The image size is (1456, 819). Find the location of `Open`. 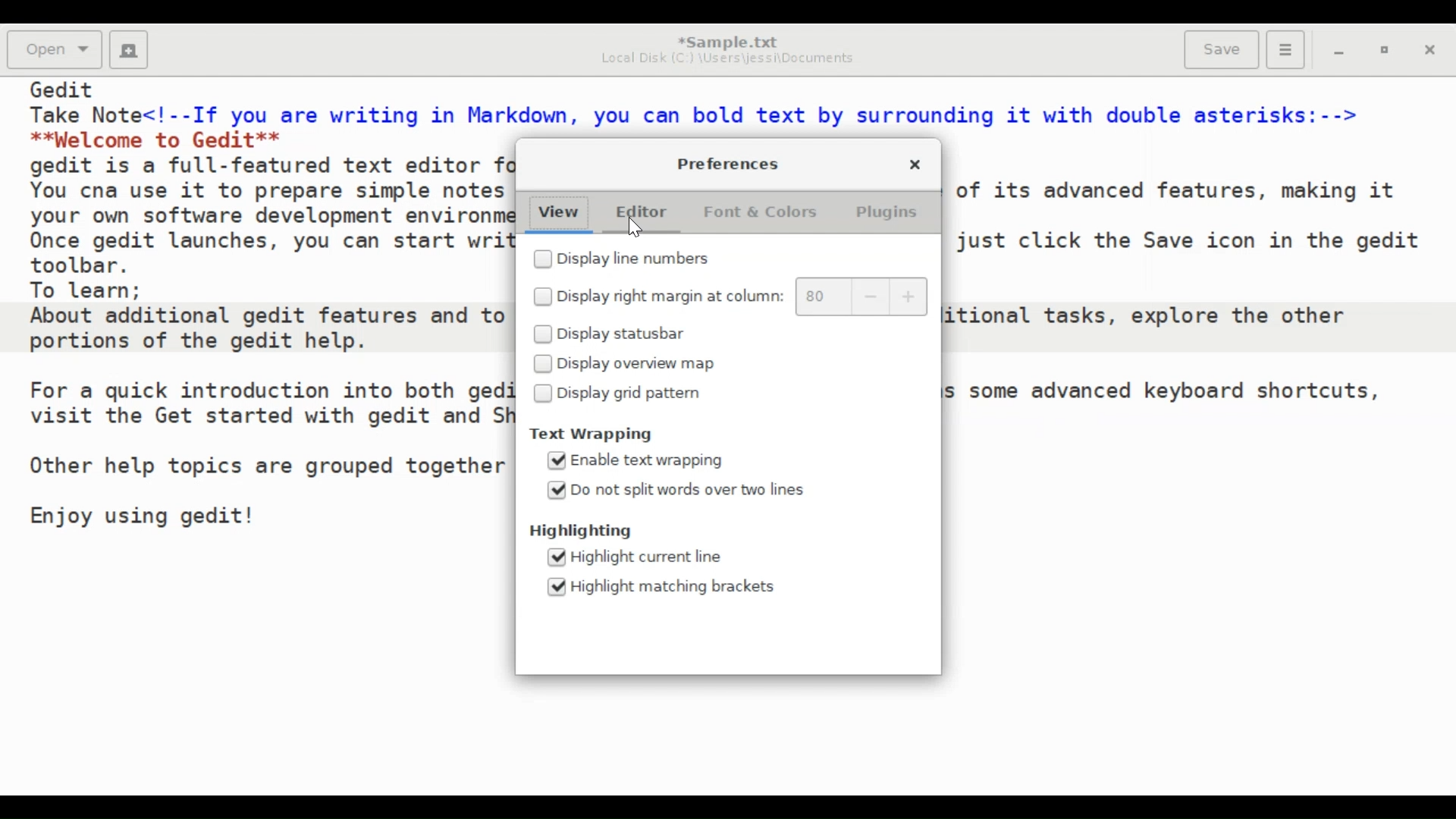

Open is located at coordinates (56, 50).